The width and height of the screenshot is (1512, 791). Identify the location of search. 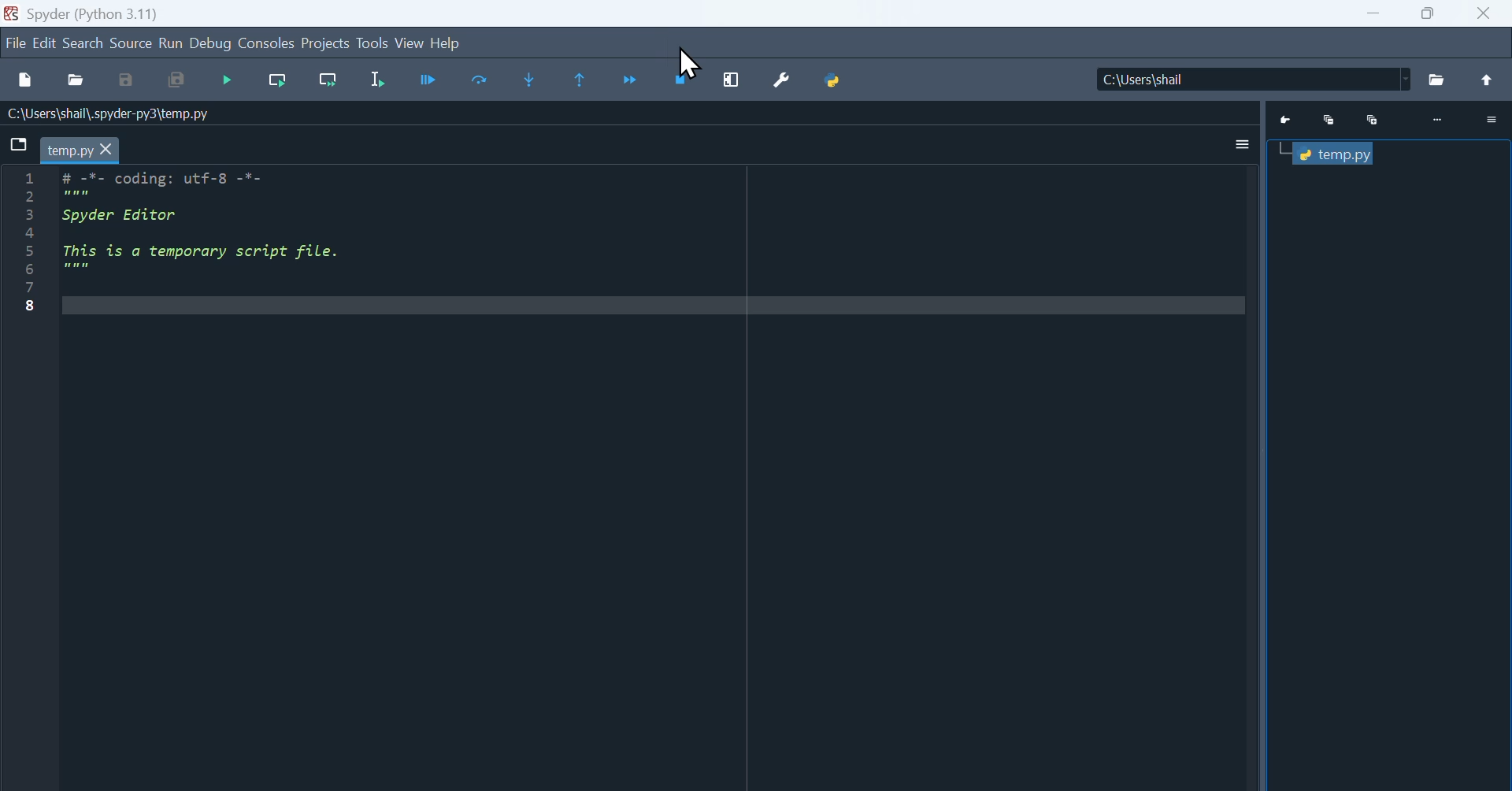
(84, 44).